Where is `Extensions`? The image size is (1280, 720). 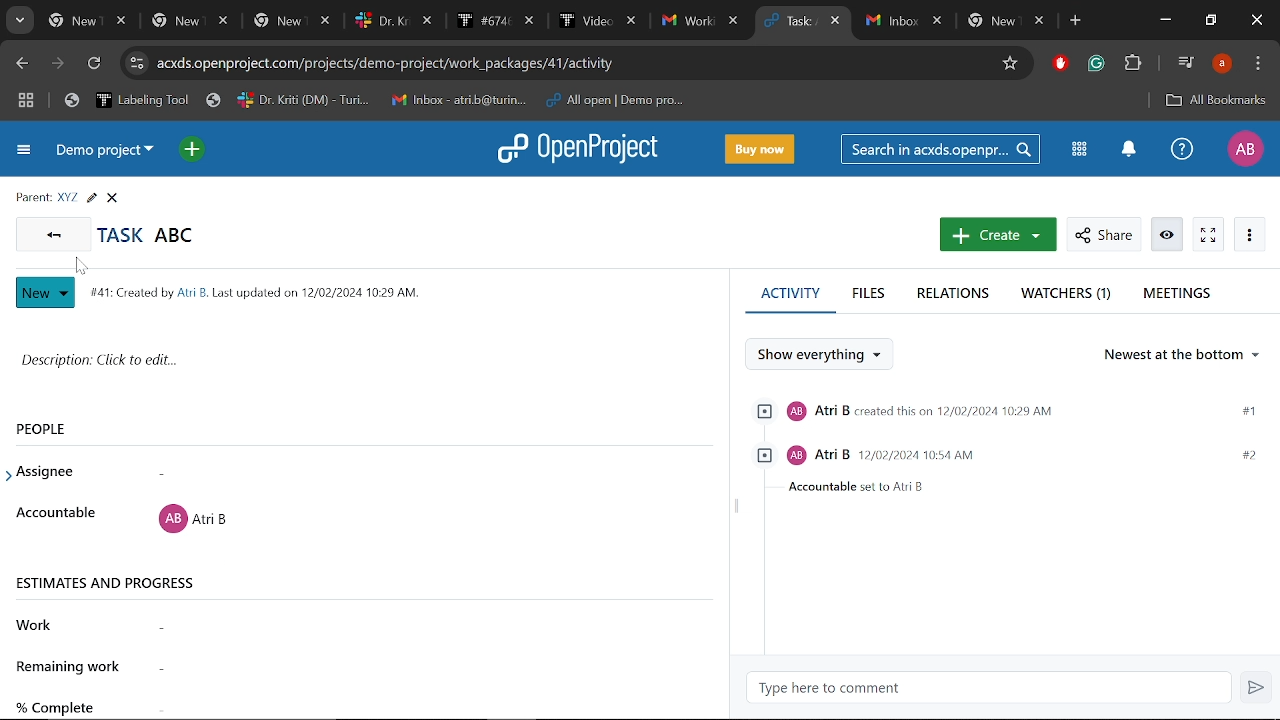 Extensions is located at coordinates (1132, 64).